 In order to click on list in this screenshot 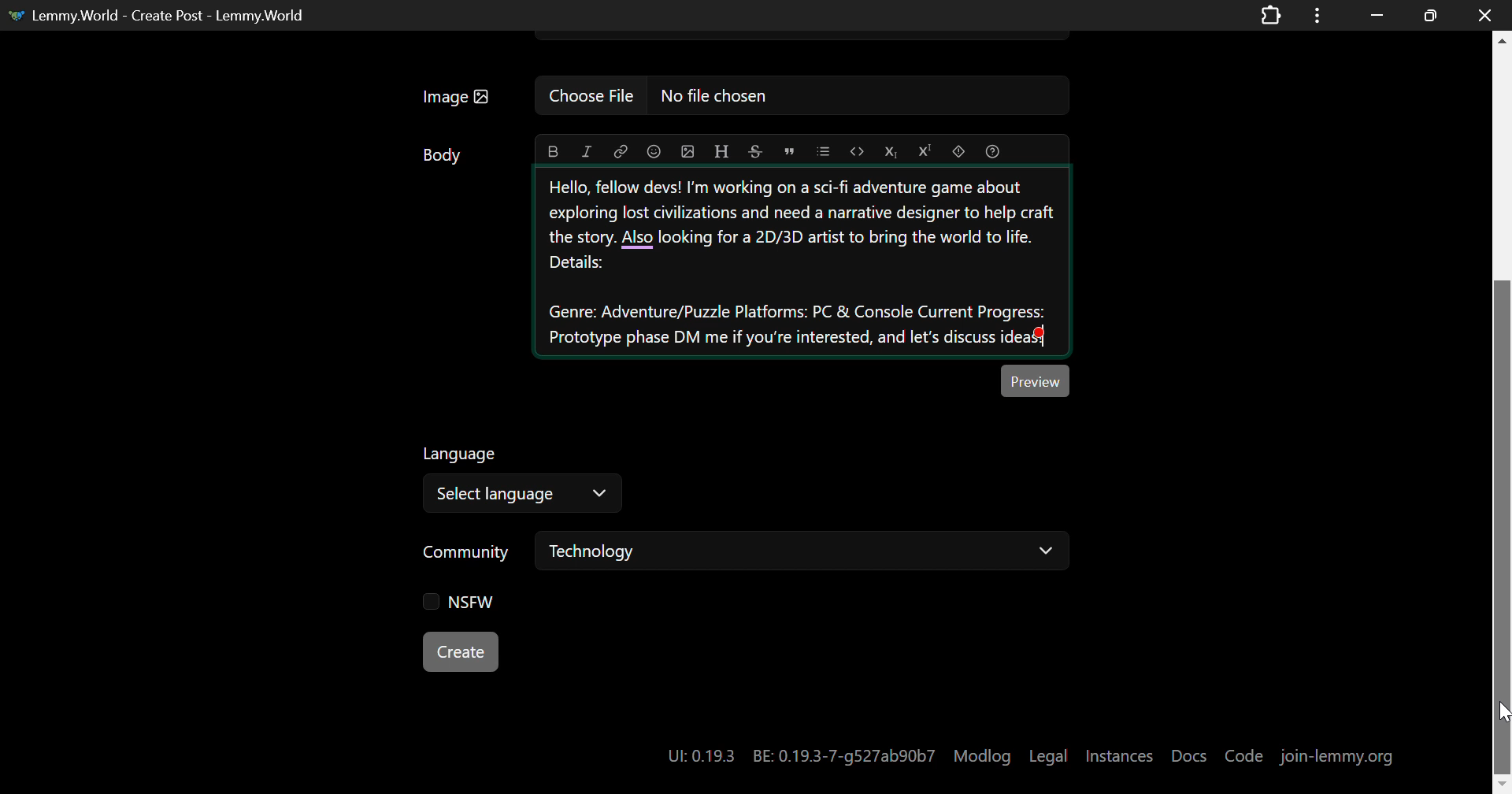, I will do `click(825, 151)`.